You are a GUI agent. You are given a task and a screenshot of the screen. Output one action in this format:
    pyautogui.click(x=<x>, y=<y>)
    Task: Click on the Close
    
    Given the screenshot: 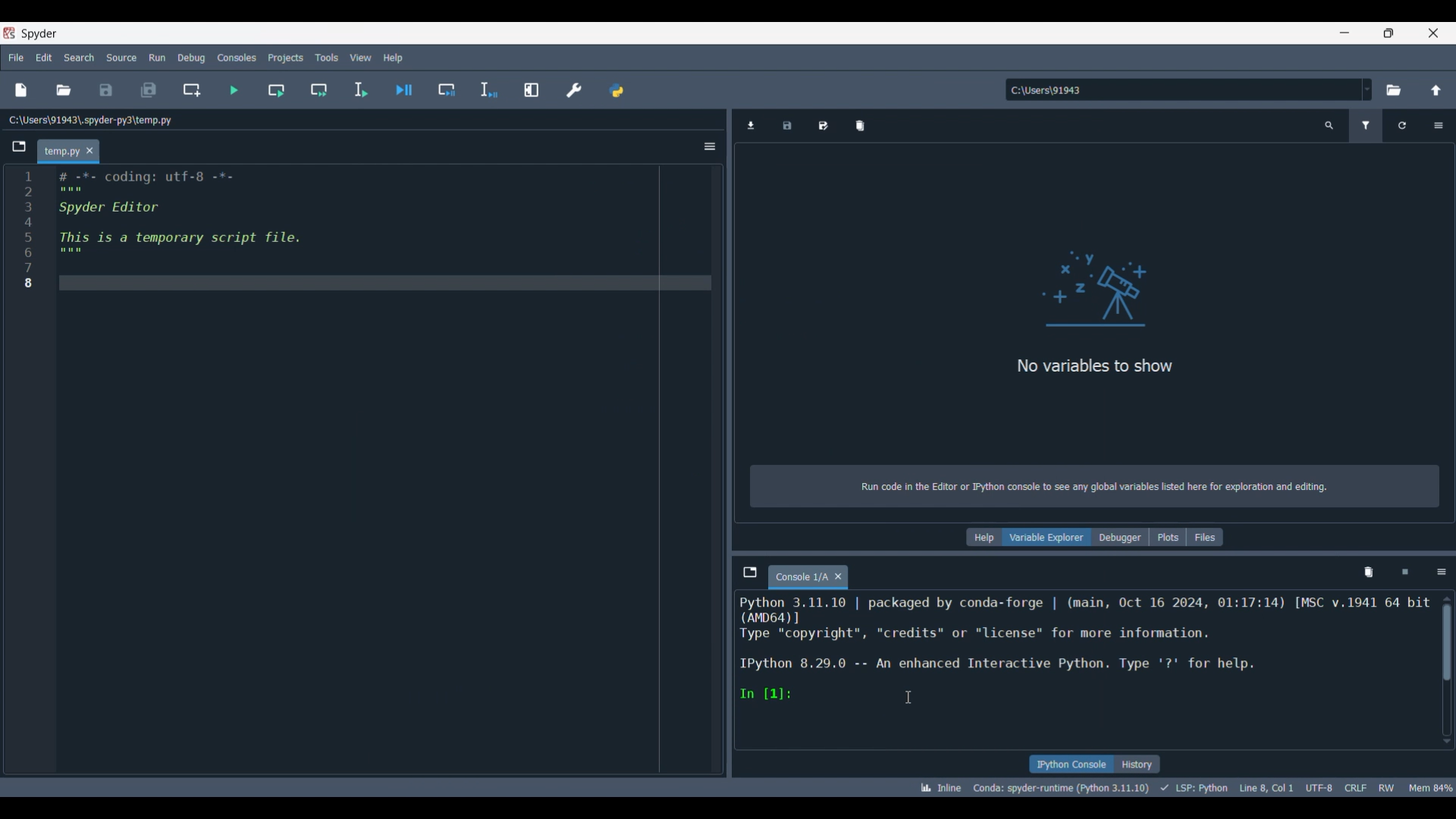 What is the action you would take?
    pyautogui.click(x=1433, y=33)
    